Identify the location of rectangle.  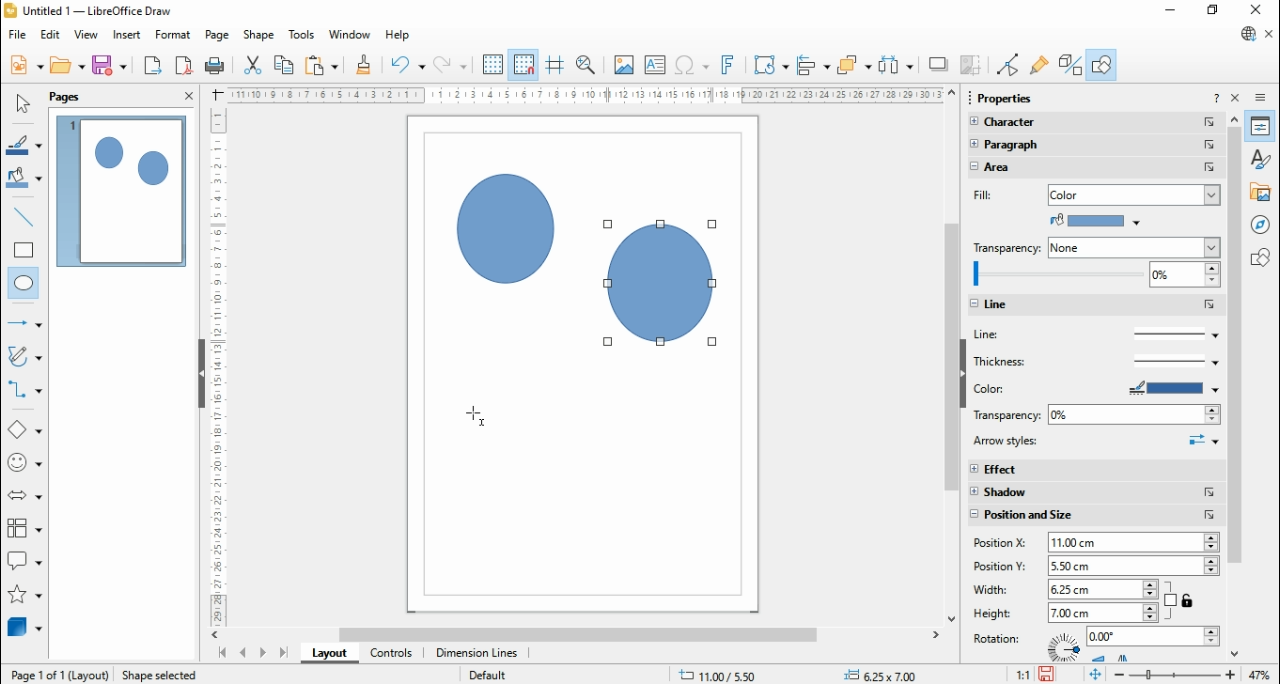
(24, 249).